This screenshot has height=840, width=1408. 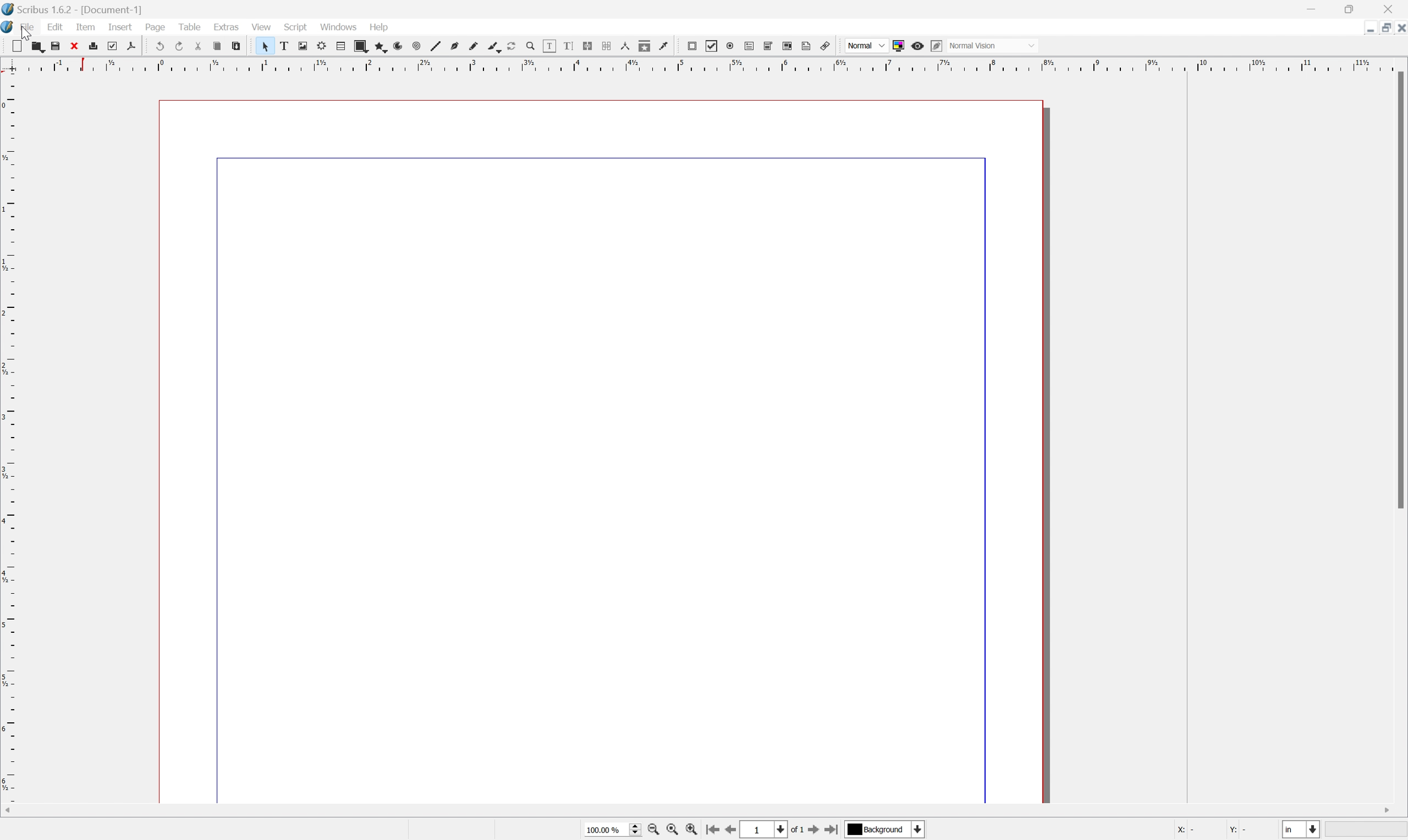 What do you see at coordinates (1399, 27) in the screenshot?
I see `Close` at bounding box center [1399, 27].